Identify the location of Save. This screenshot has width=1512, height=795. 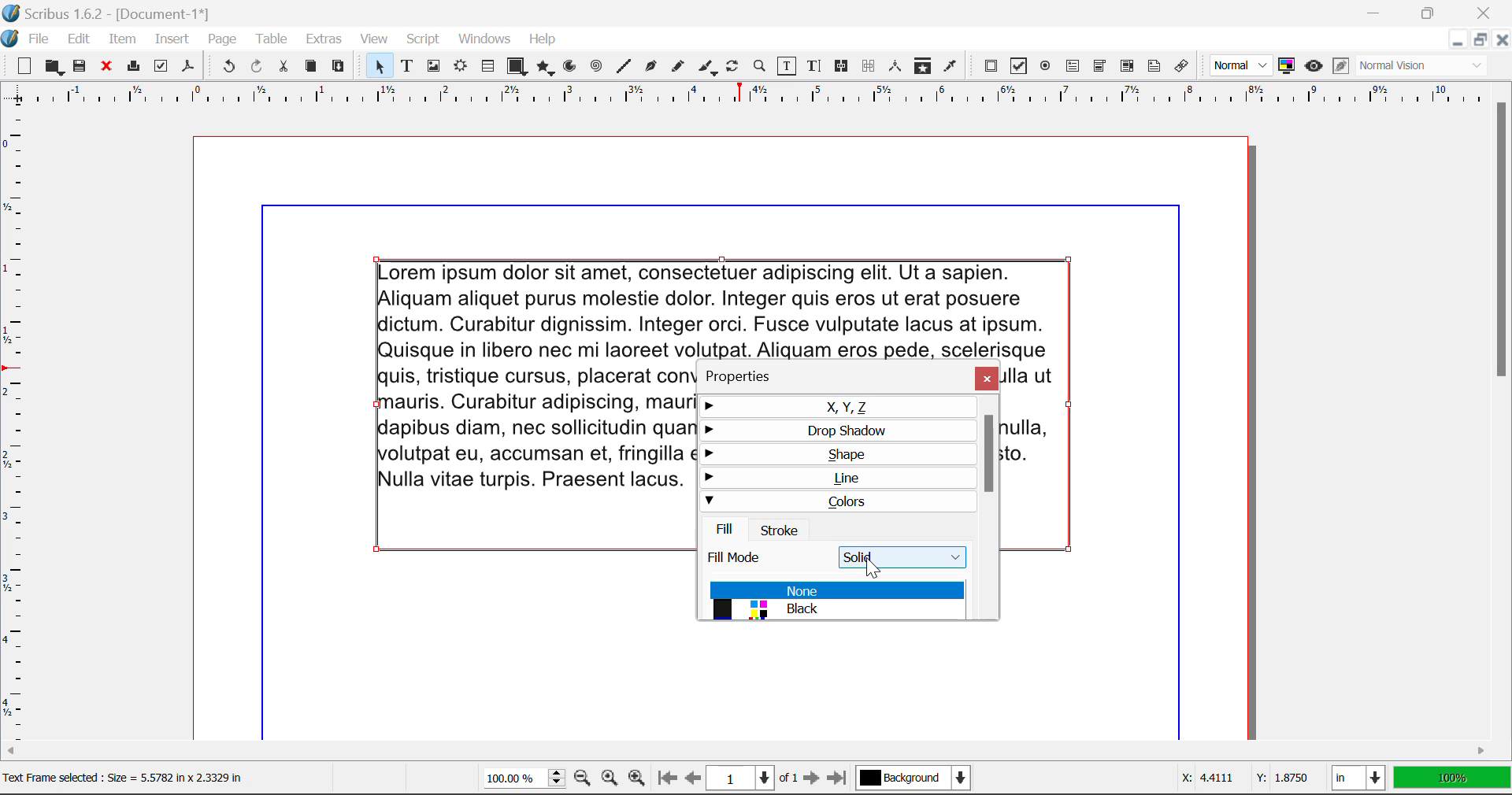
(81, 67).